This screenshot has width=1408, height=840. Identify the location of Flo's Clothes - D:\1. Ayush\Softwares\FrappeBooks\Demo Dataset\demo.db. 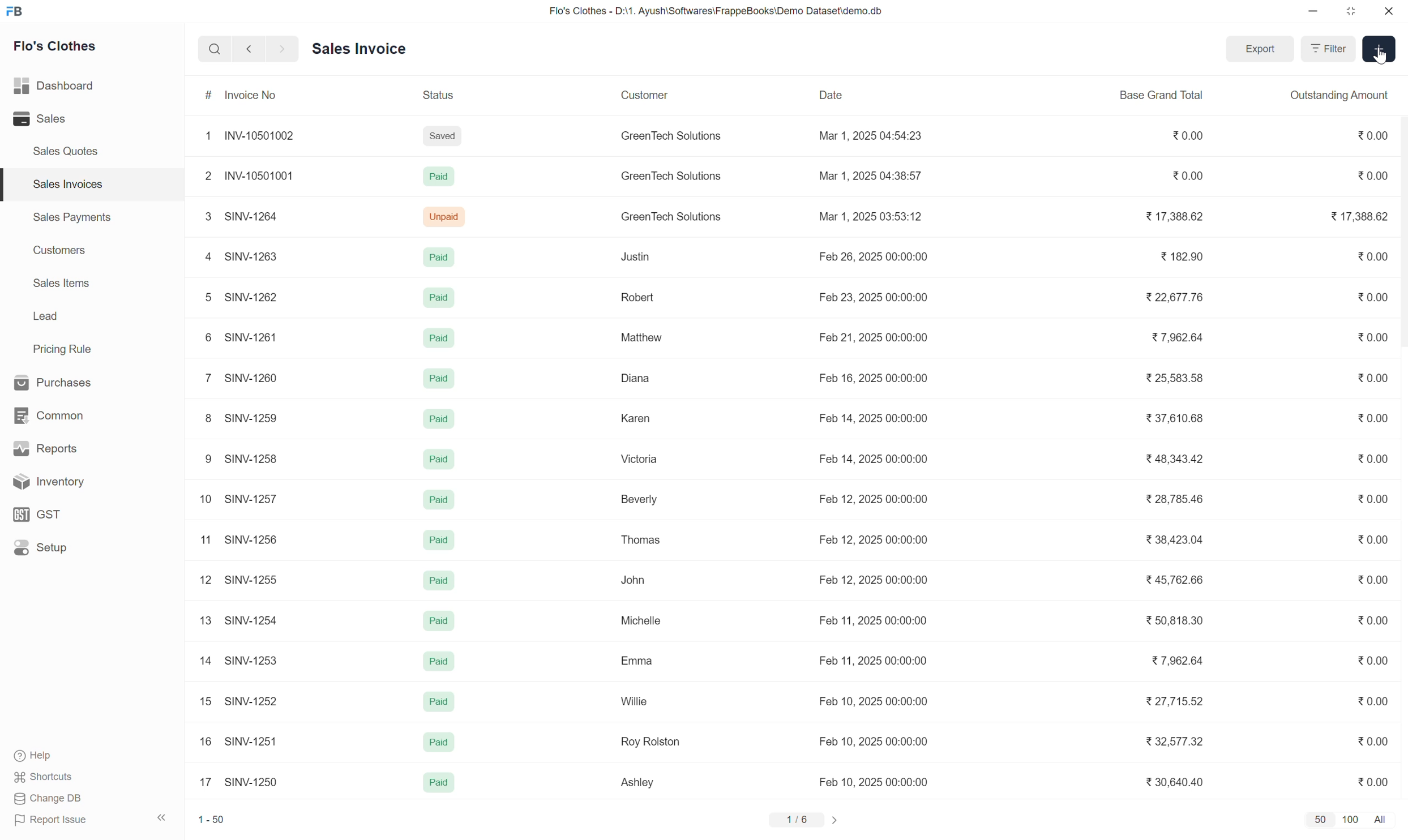
(726, 12).